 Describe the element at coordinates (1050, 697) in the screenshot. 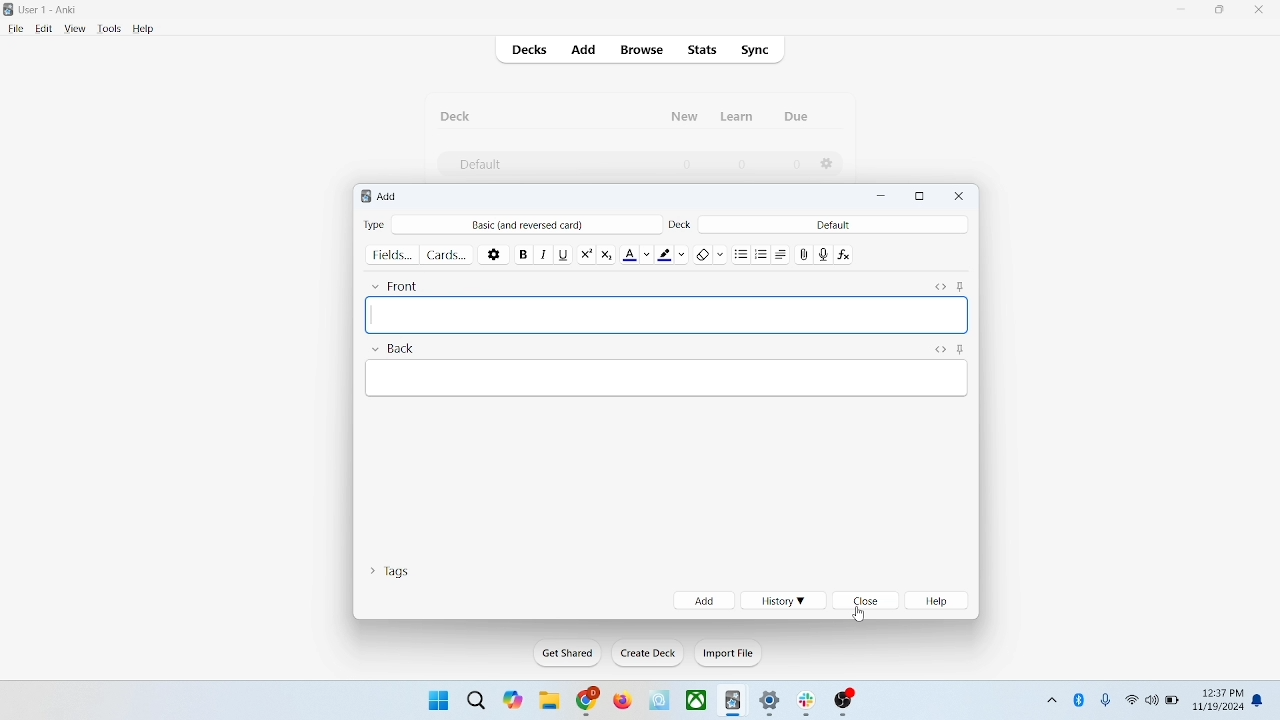

I see `show hidden icons` at that location.